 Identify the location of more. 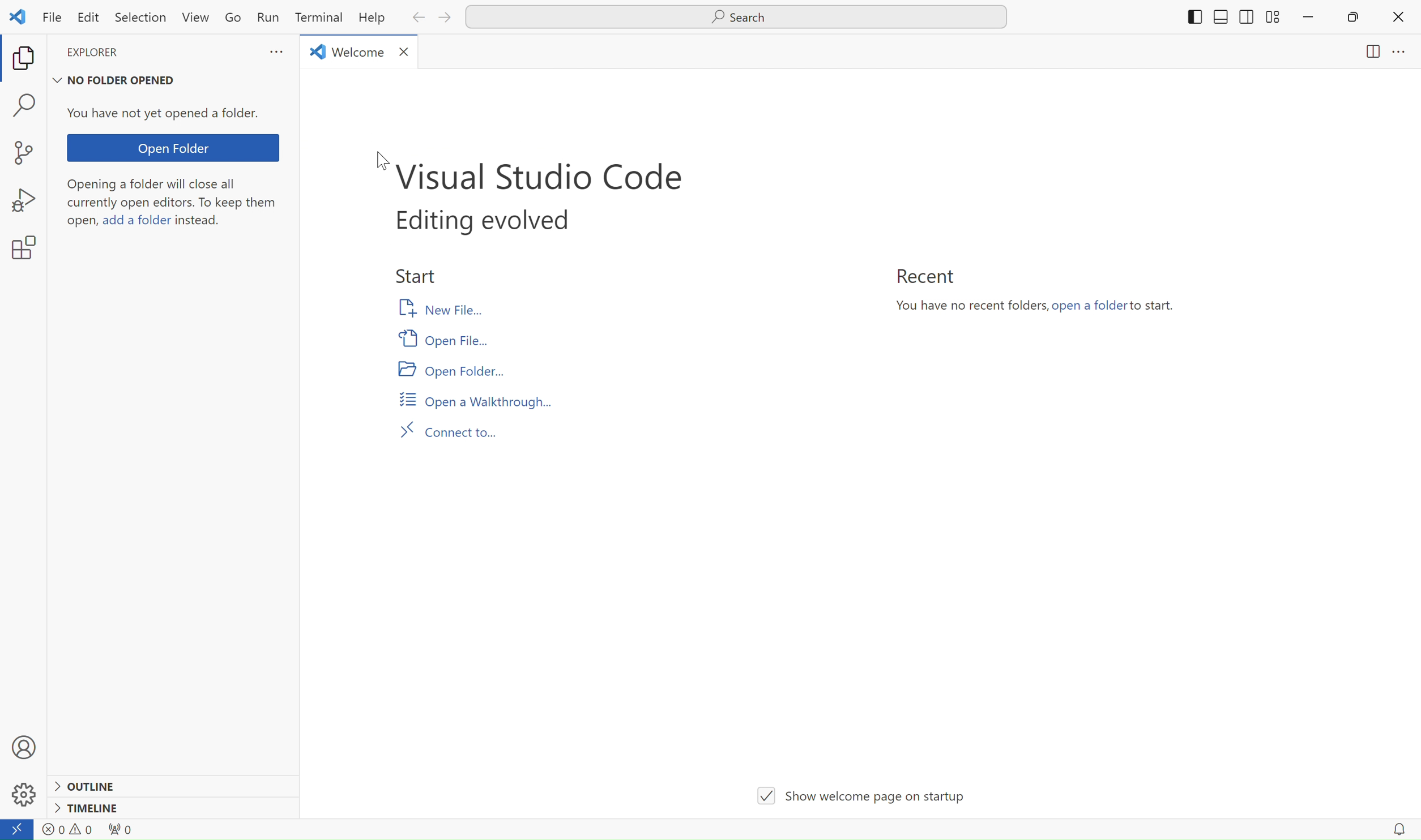
(276, 49).